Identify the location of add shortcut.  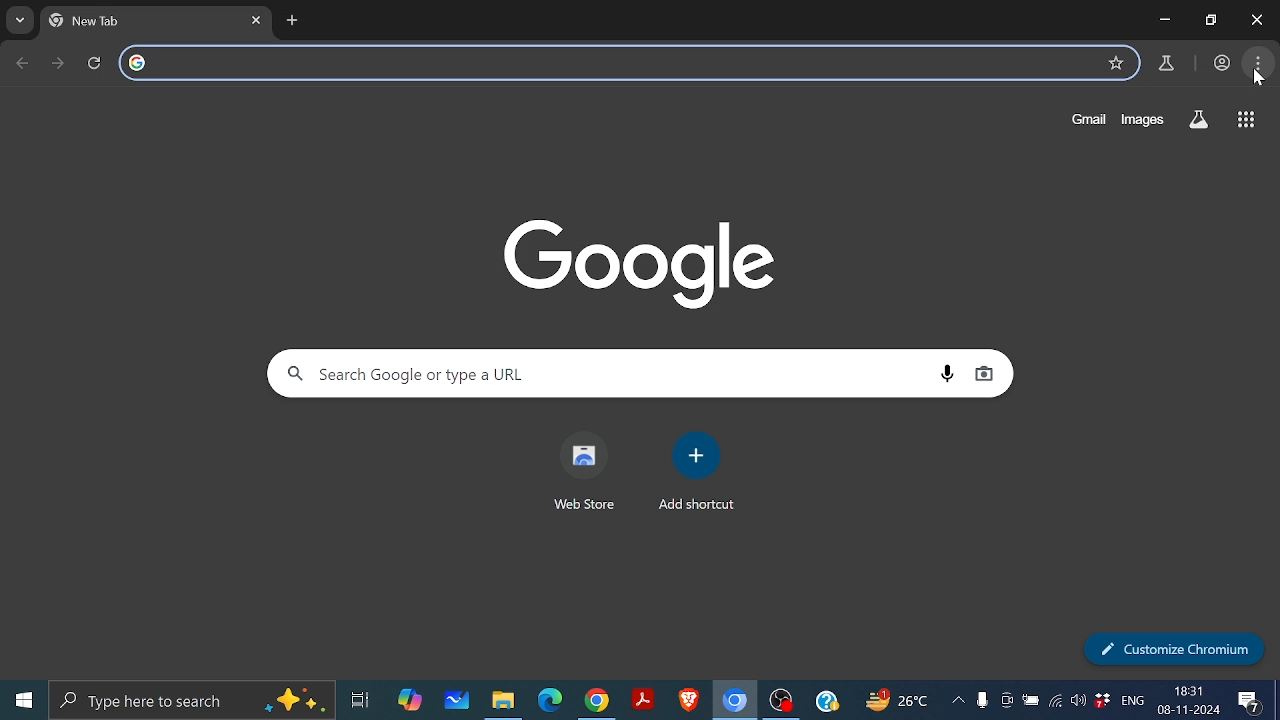
(697, 505).